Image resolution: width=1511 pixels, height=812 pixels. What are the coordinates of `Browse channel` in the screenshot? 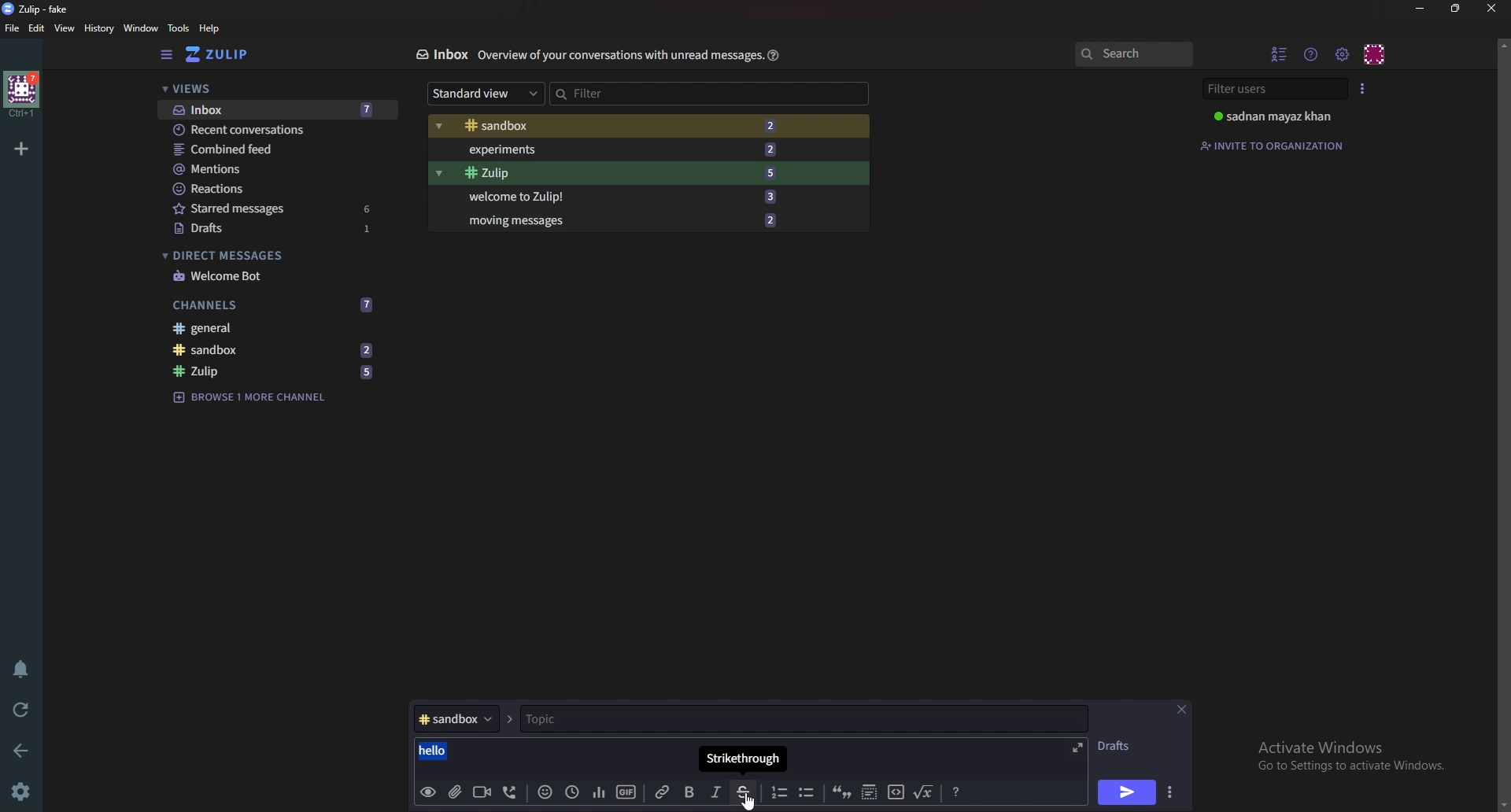 It's located at (252, 401).